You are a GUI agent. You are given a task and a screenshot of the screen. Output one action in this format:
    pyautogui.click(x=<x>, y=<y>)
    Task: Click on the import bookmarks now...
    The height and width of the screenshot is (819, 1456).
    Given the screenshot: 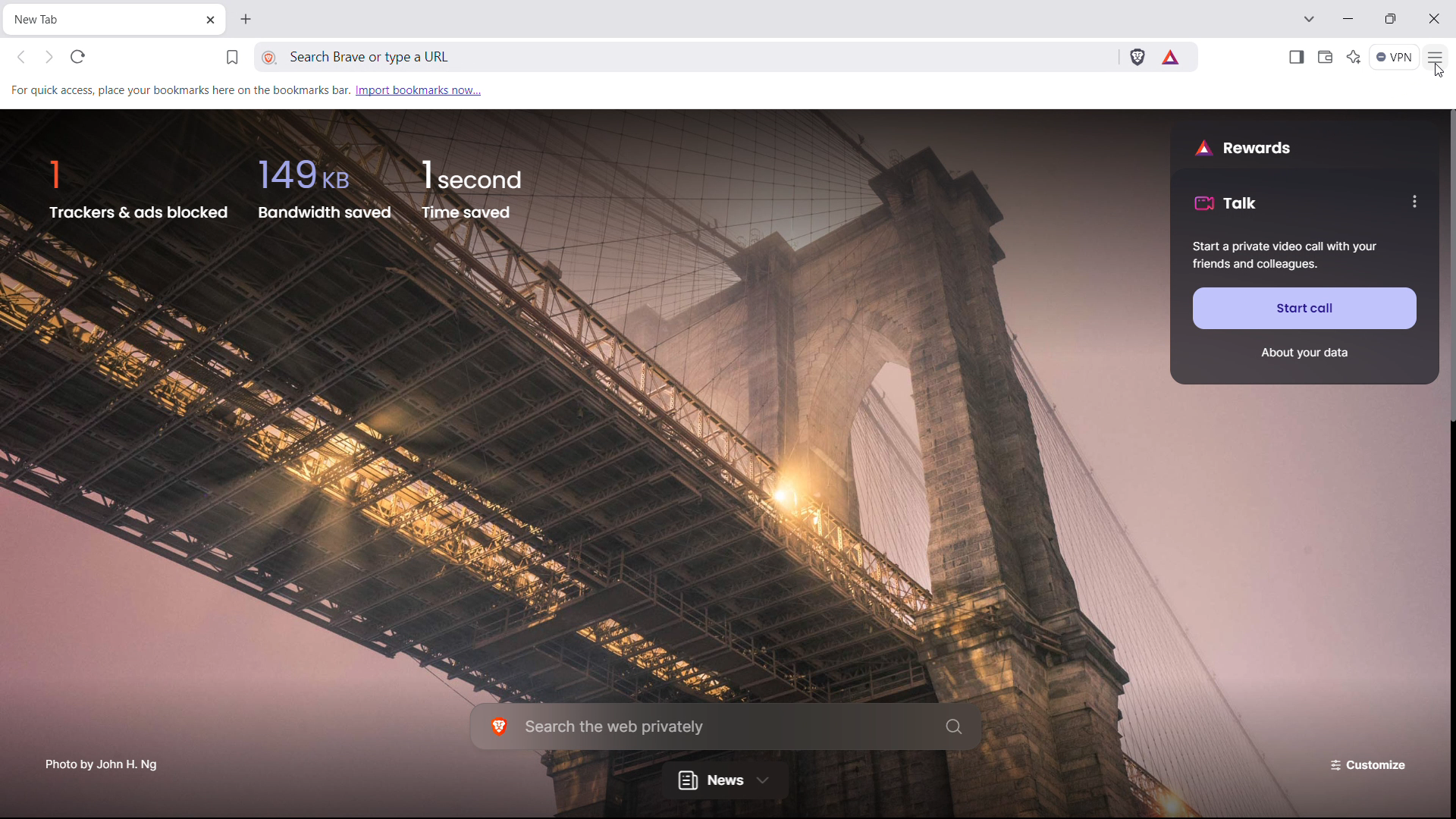 What is the action you would take?
    pyautogui.click(x=419, y=89)
    